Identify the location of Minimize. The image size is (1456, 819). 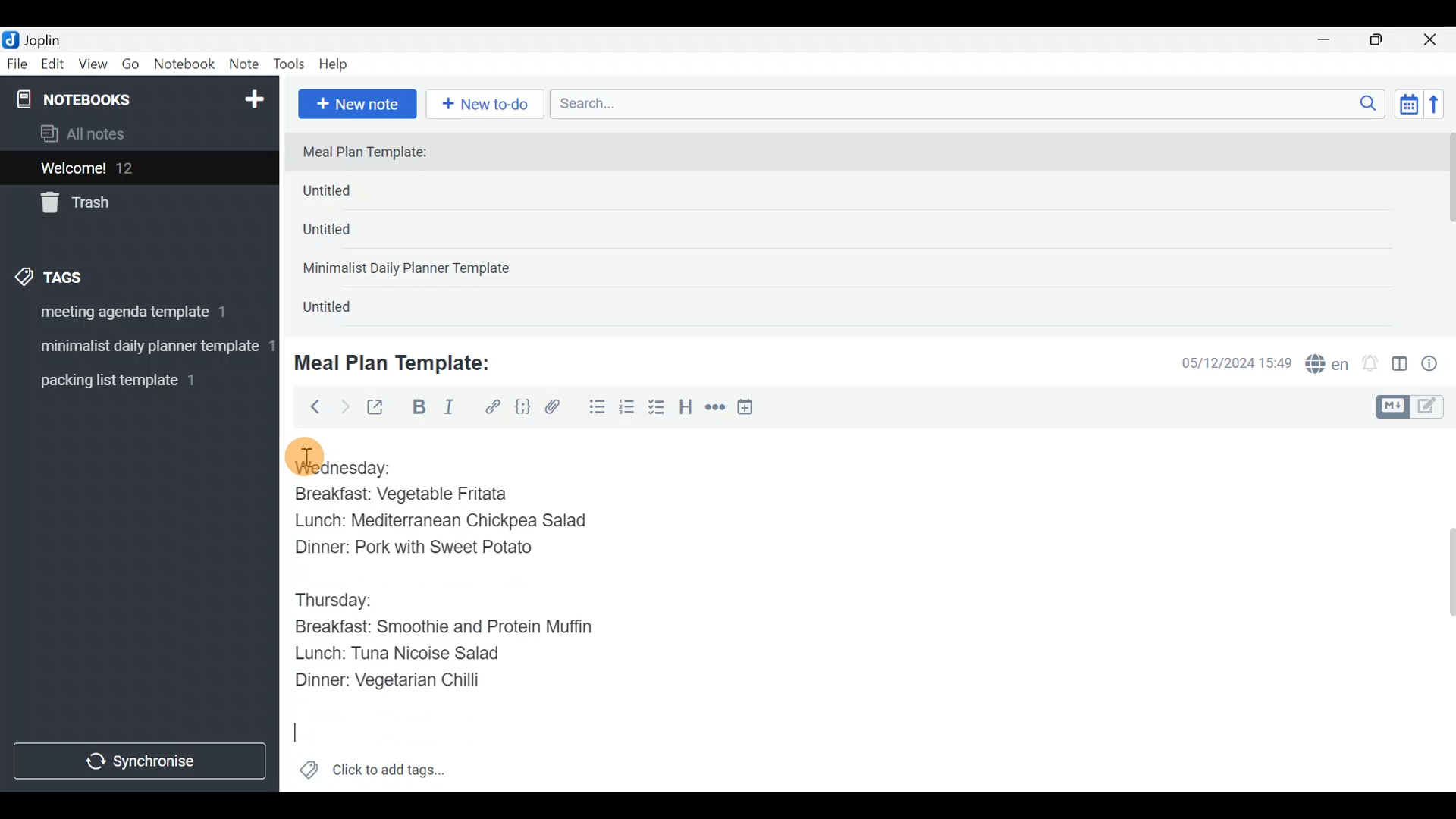
(1332, 38).